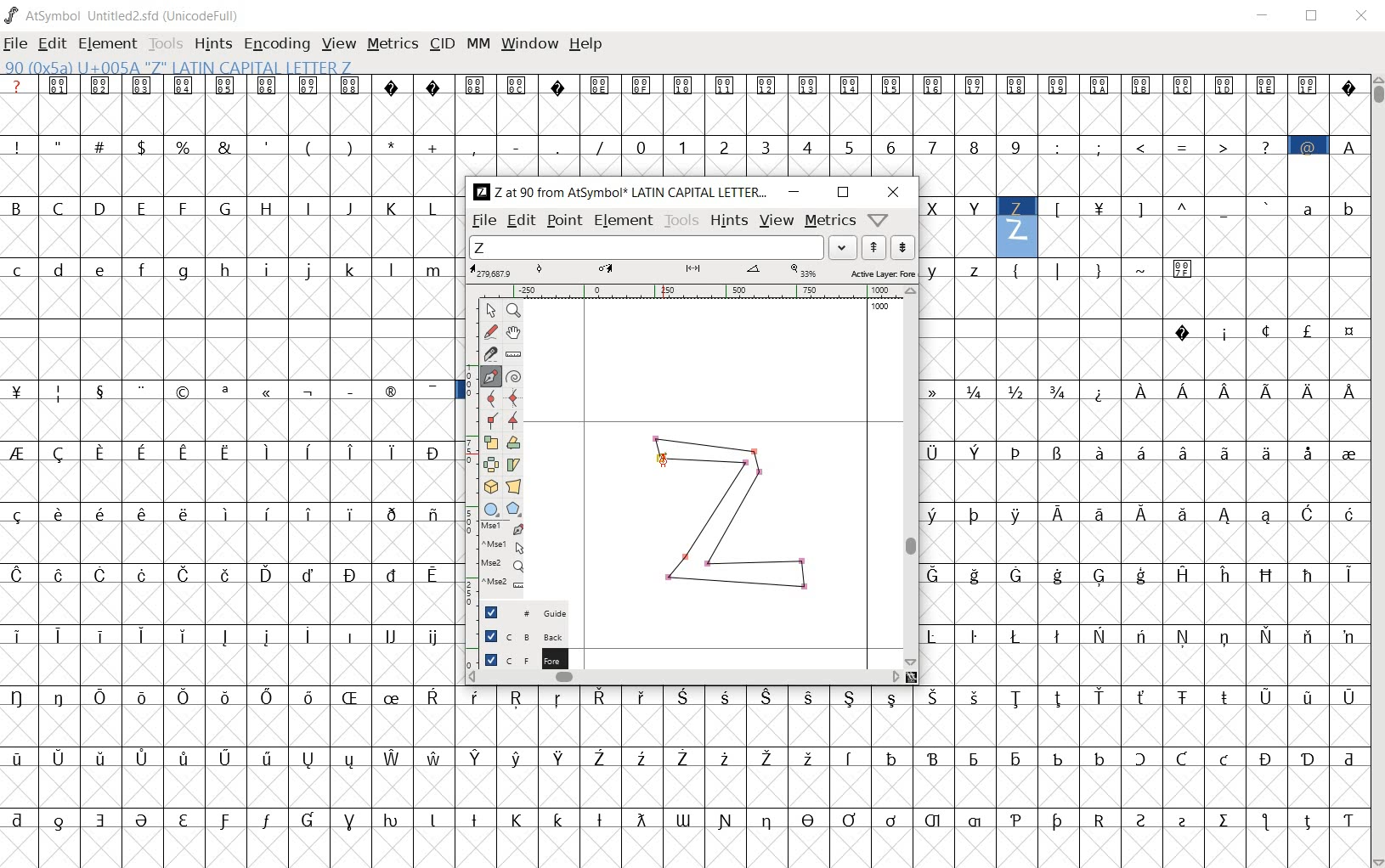 This screenshot has height=868, width=1385. I want to click on glyph characters, so click(913, 777).